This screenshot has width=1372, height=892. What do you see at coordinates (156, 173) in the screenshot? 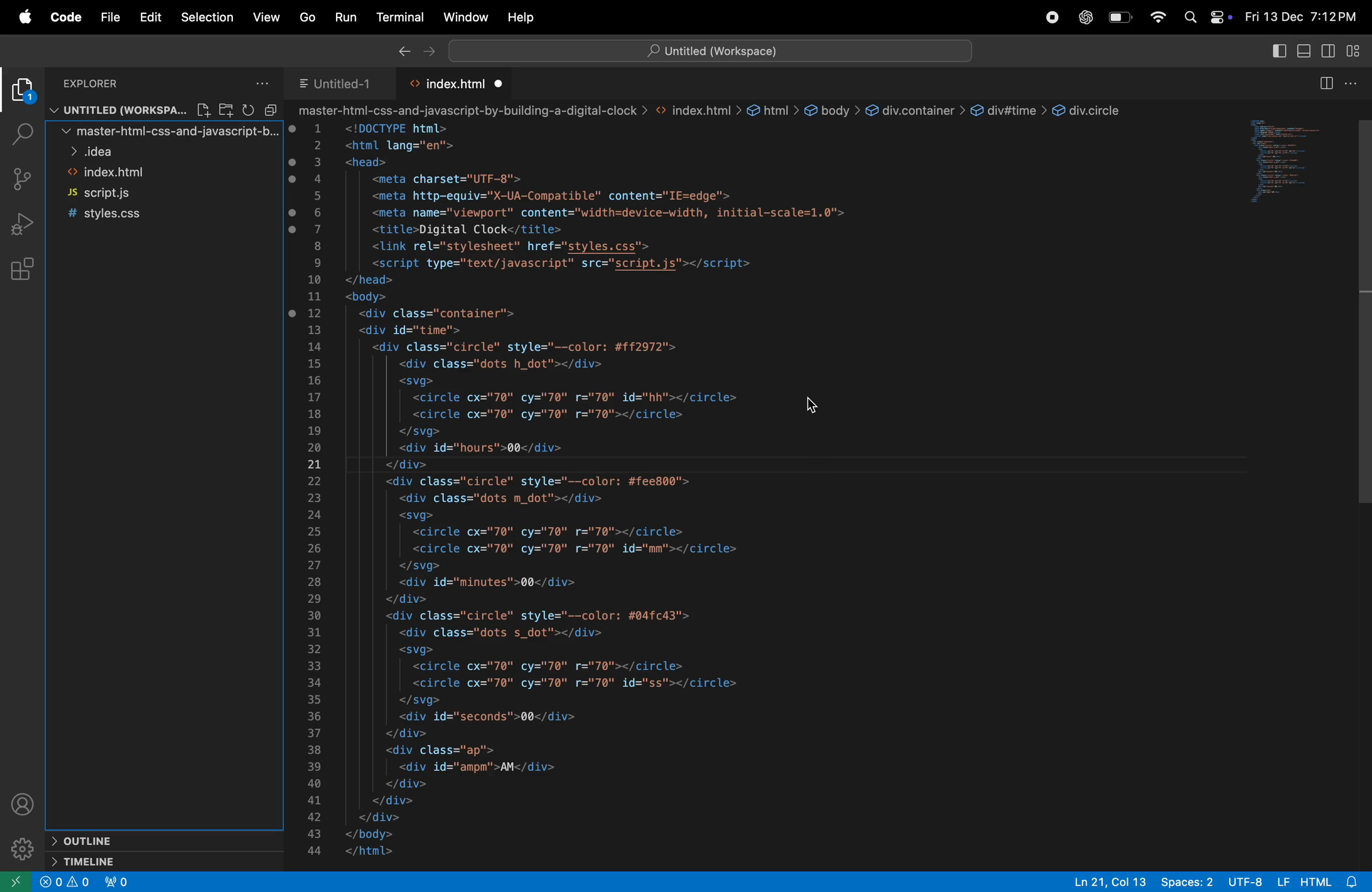
I see `index.html` at bounding box center [156, 173].